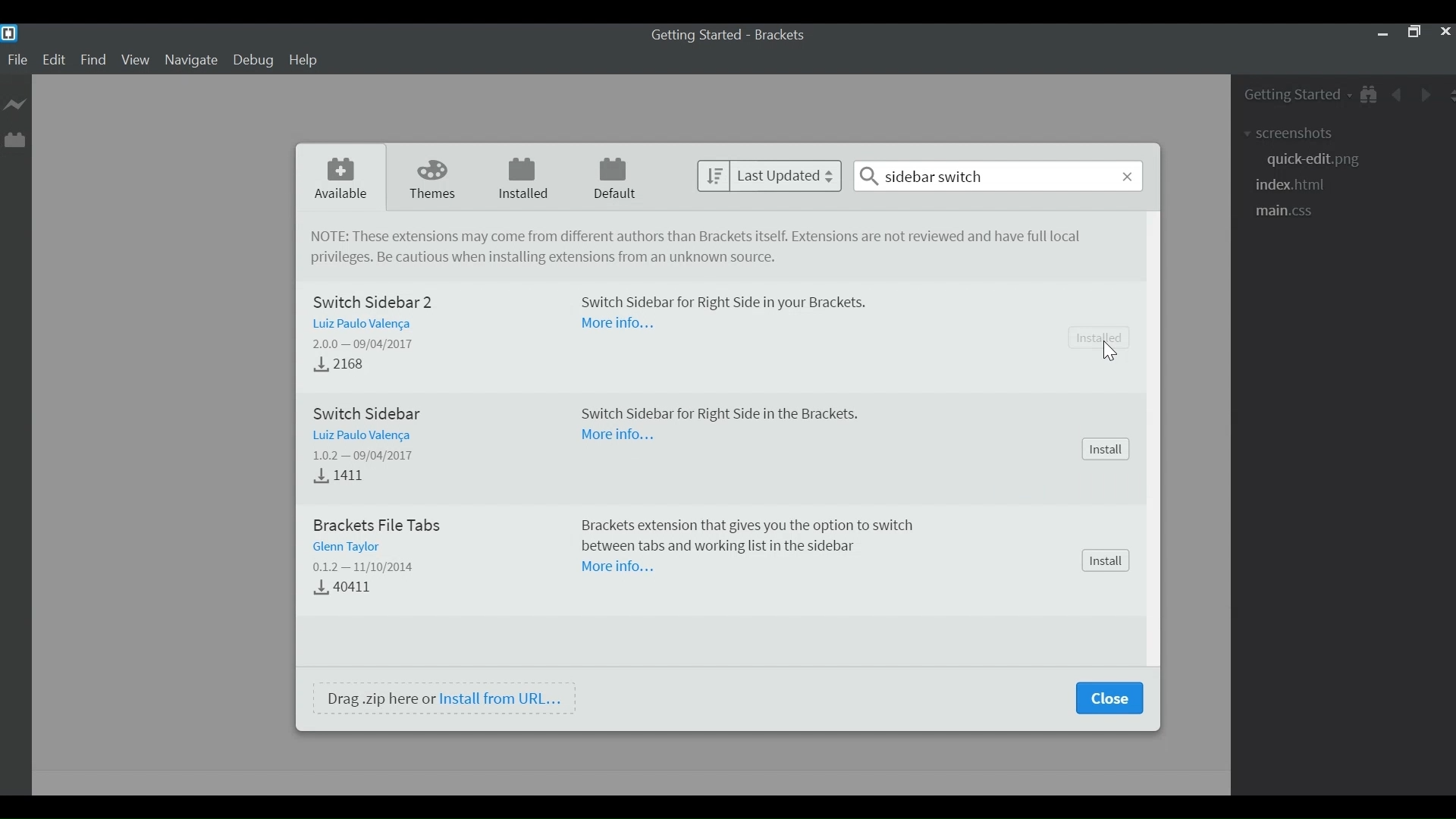  Describe the element at coordinates (1286, 93) in the screenshot. I see `Getting Stated` at that location.